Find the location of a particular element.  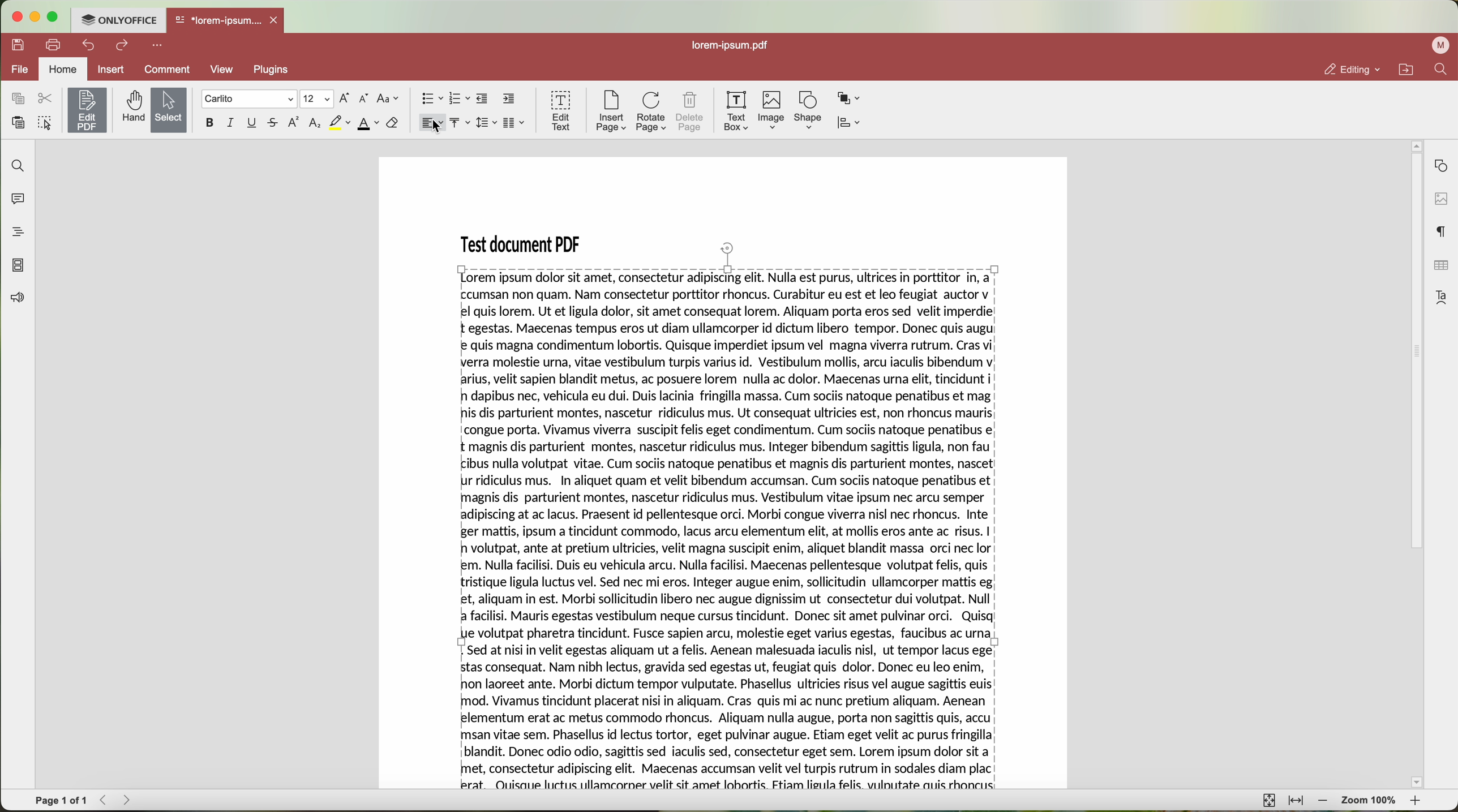

page thumbnails is located at coordinates (18, 265).